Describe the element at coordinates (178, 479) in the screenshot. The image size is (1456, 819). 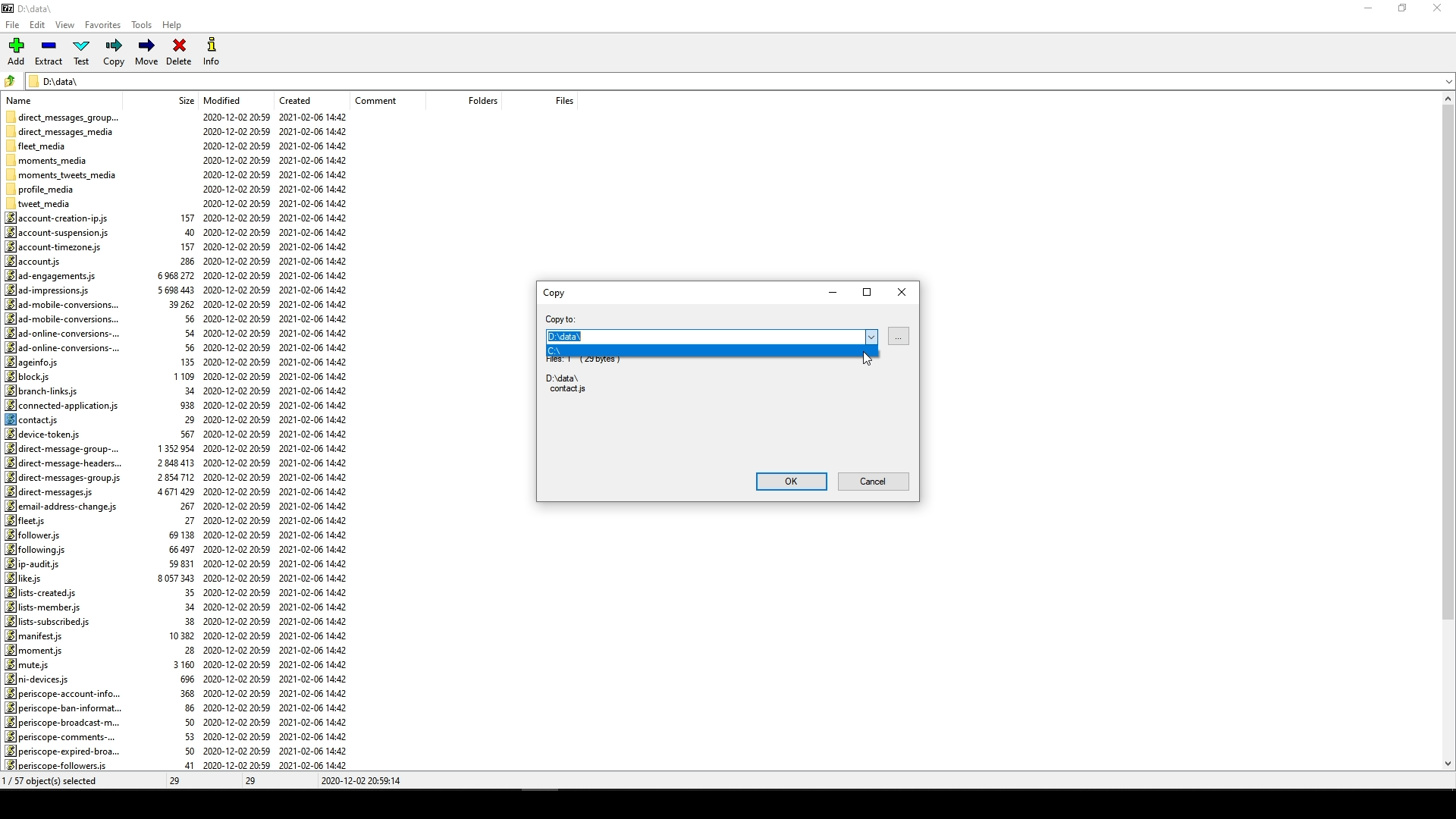
I see `size` at that location.